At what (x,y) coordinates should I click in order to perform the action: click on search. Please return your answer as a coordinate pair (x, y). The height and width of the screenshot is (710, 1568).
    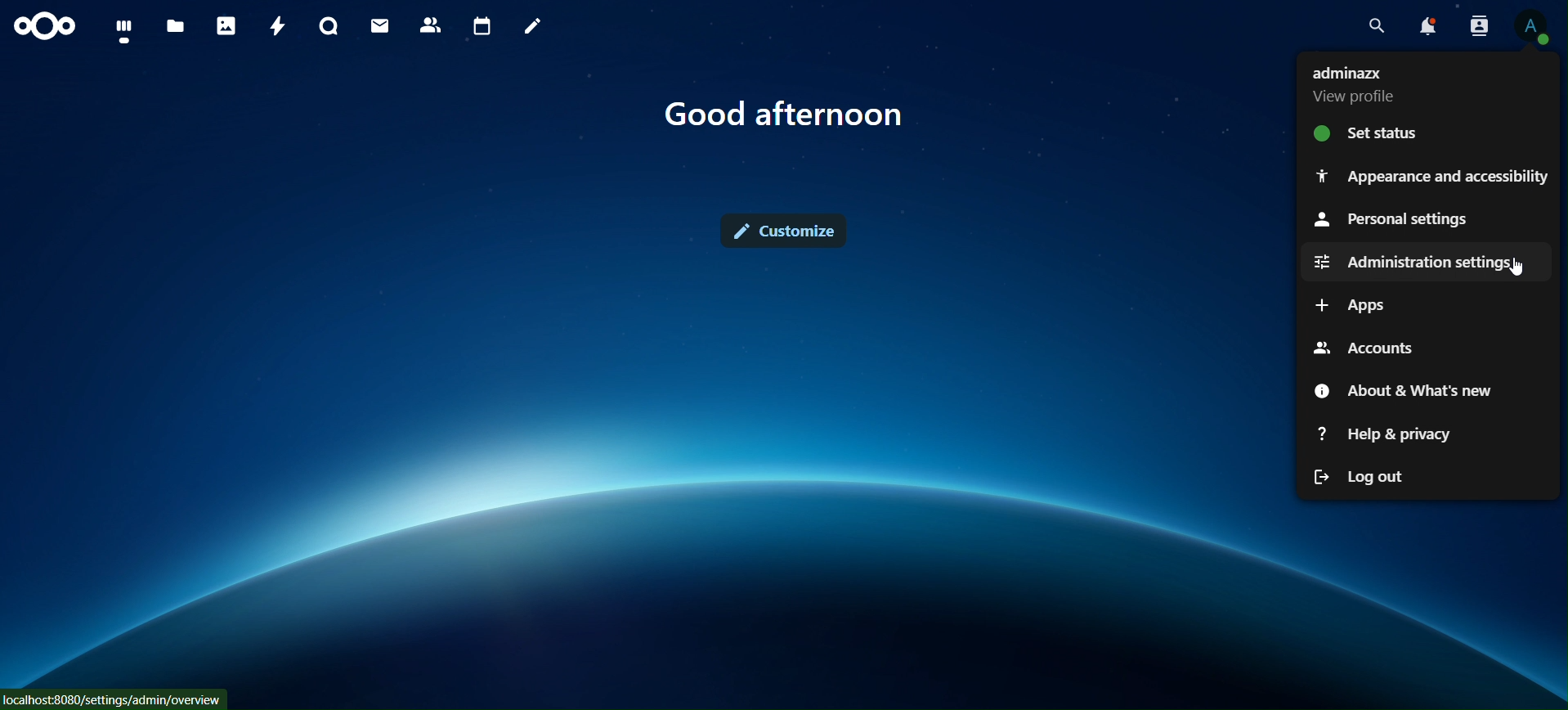
    Looking at the image, I should click on (1374, 26).